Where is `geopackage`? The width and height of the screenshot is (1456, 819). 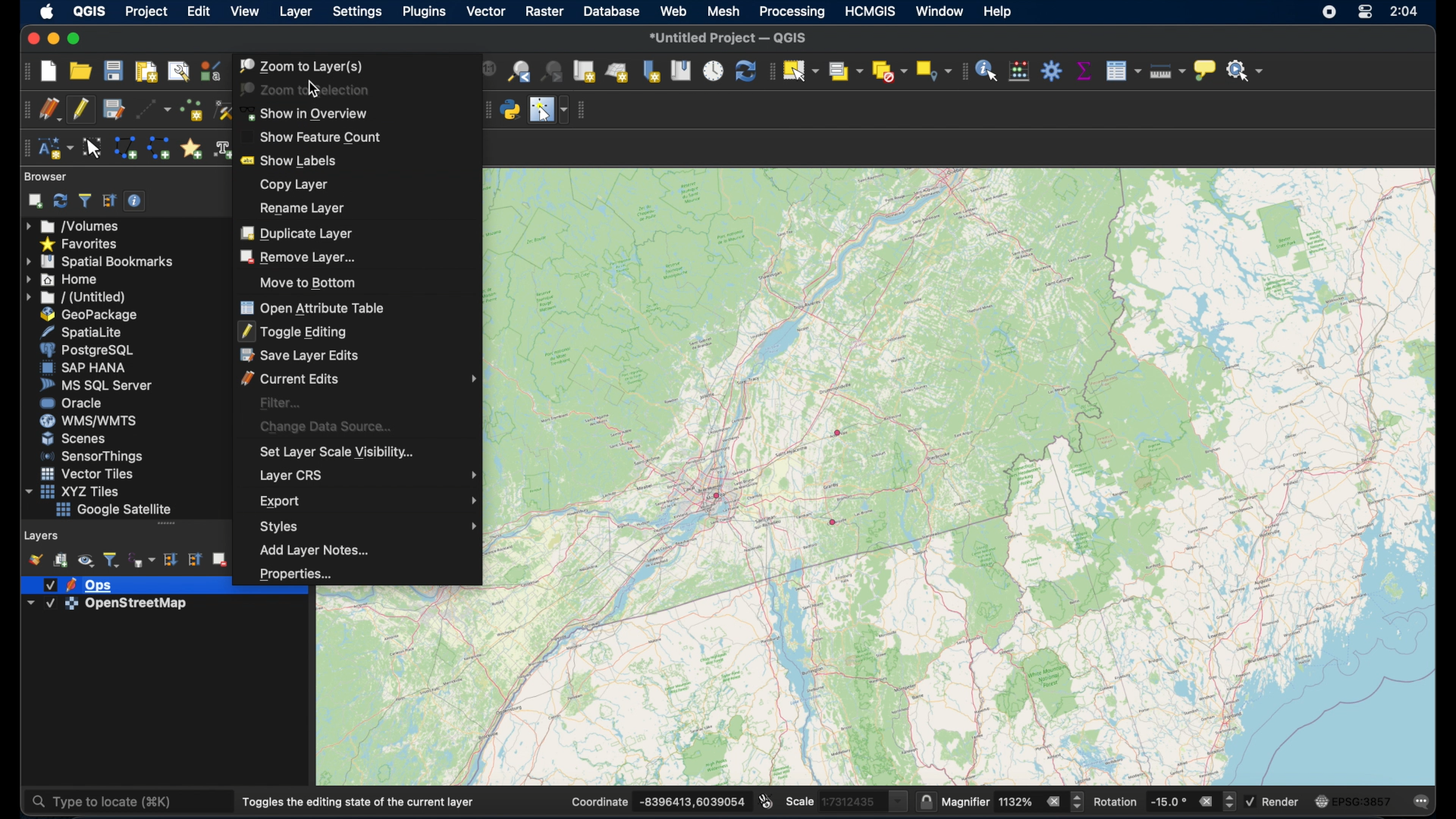
geopackage is located at coordinates (84, 315).